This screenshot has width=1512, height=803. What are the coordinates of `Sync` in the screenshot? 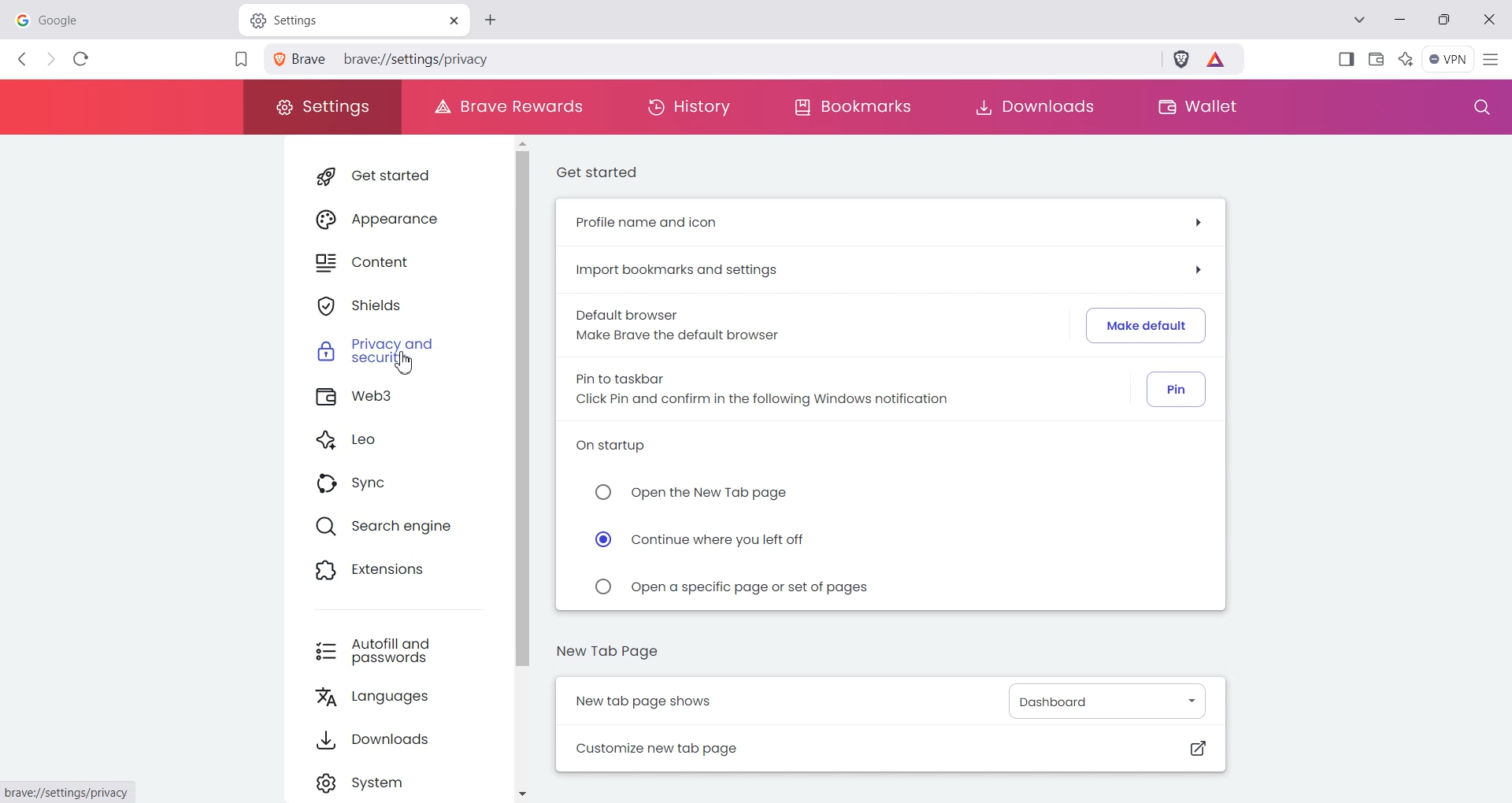 It's located at (387, 485).